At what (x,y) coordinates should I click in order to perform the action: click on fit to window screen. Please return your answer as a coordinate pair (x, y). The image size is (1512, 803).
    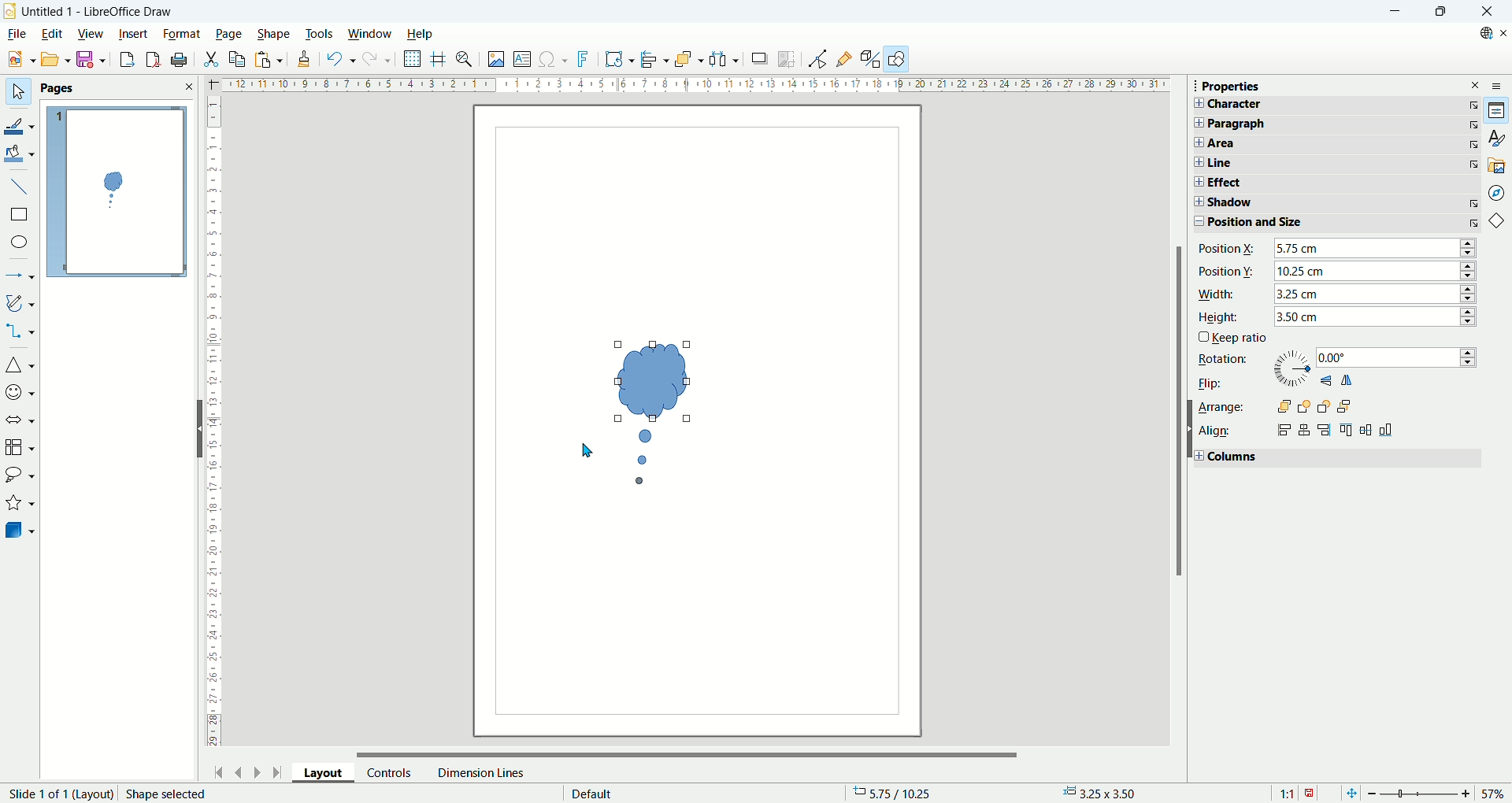
    Looking at the image, I should click on (1350, 792).